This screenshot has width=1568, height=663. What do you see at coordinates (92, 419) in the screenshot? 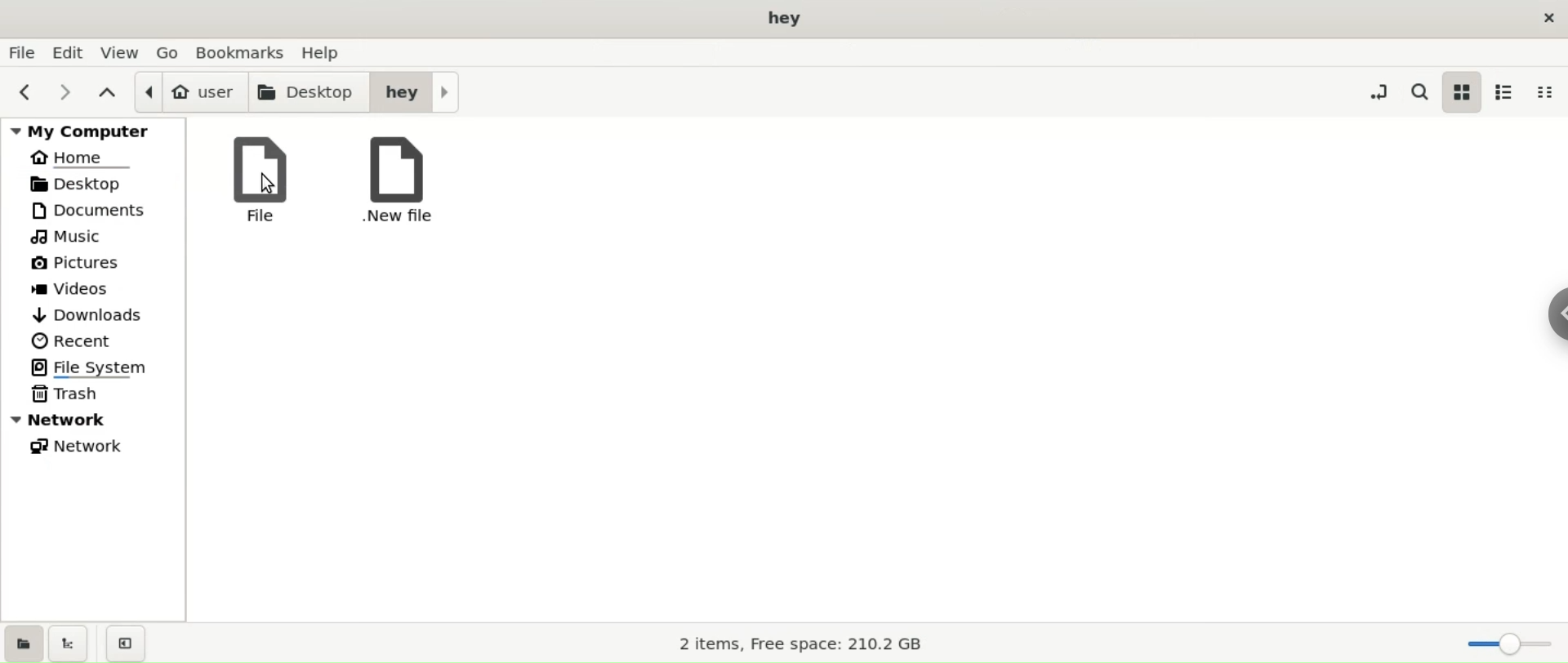
I see `network` at bounding box center [92, 419].